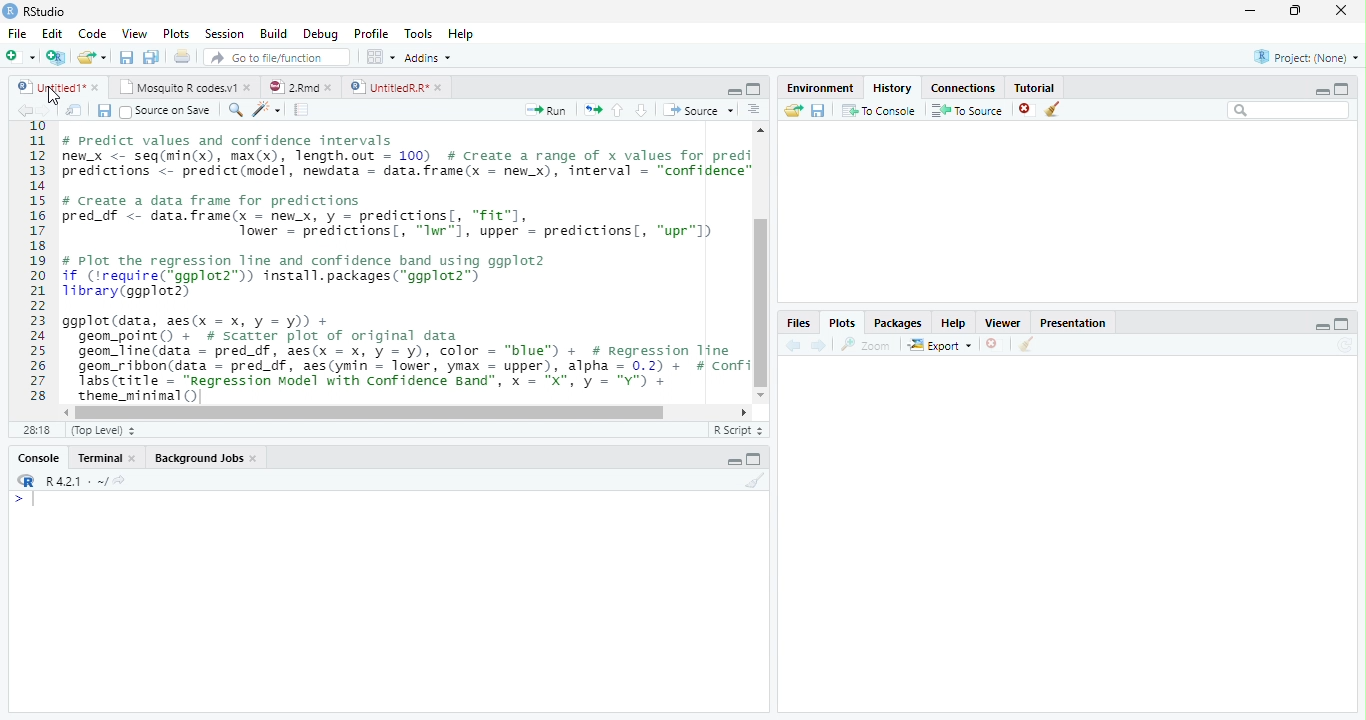 The image size is (1366, 720). I want to click on Search, so click(1291, 110).